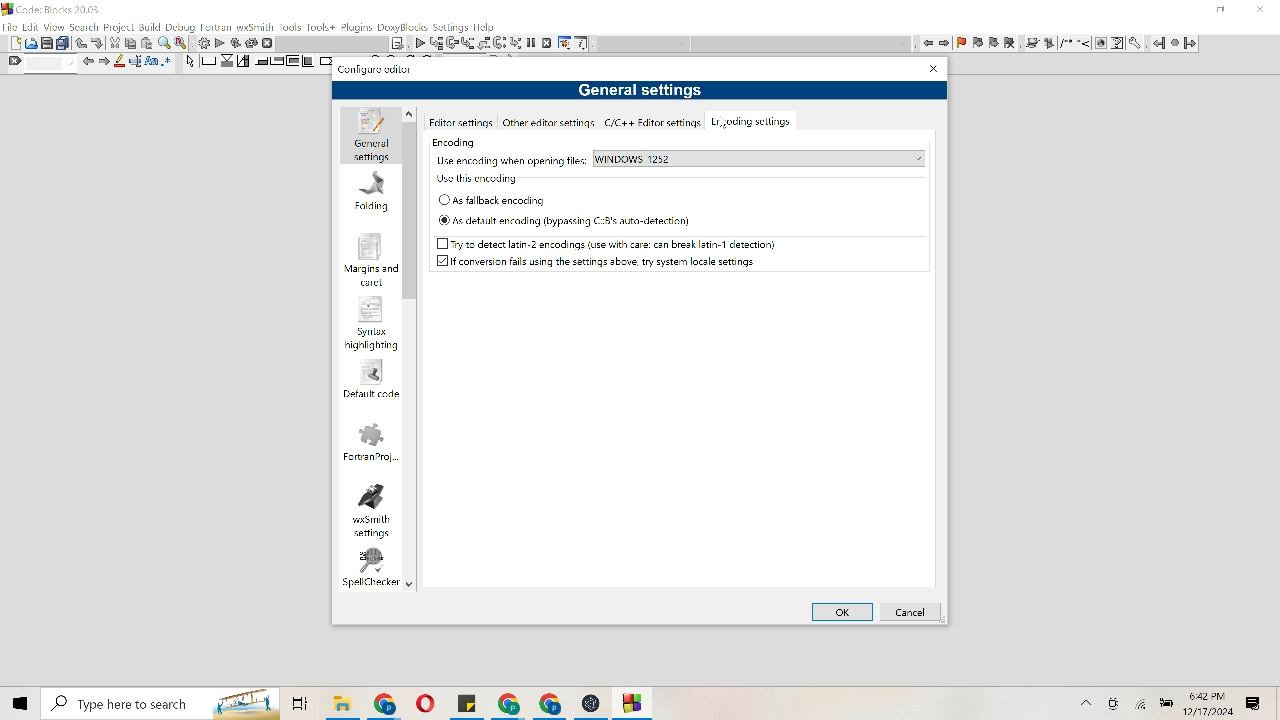 The image size is (1280, 720). What do you see at coordinates (412, 348) in the screenshot?
I see `Vertical scroll bar` at bounding box center [412, 348].